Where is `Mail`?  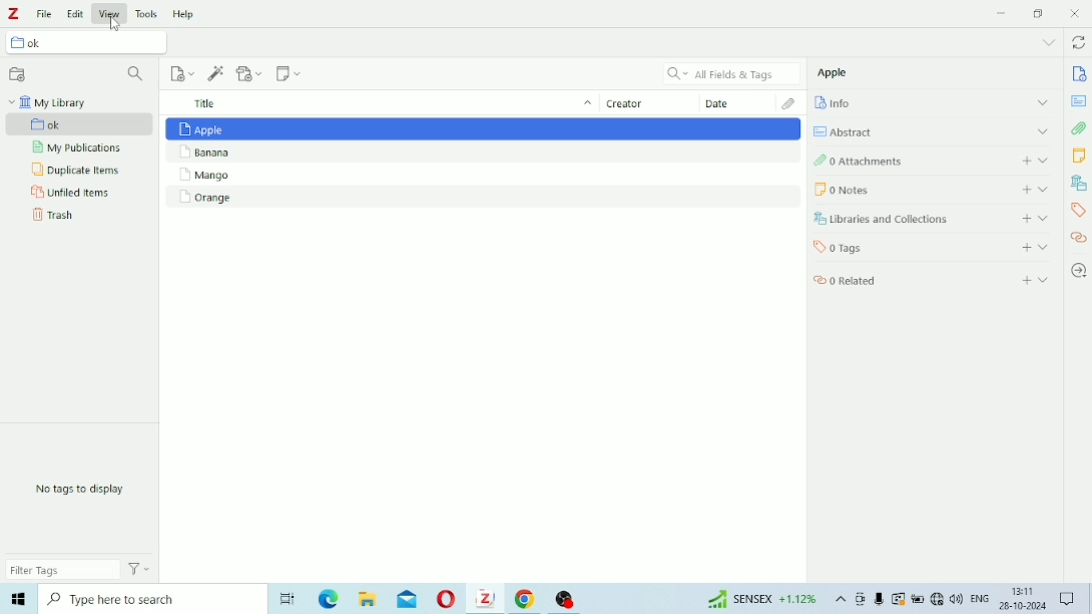
Mail is located at coordinates (407, 599).